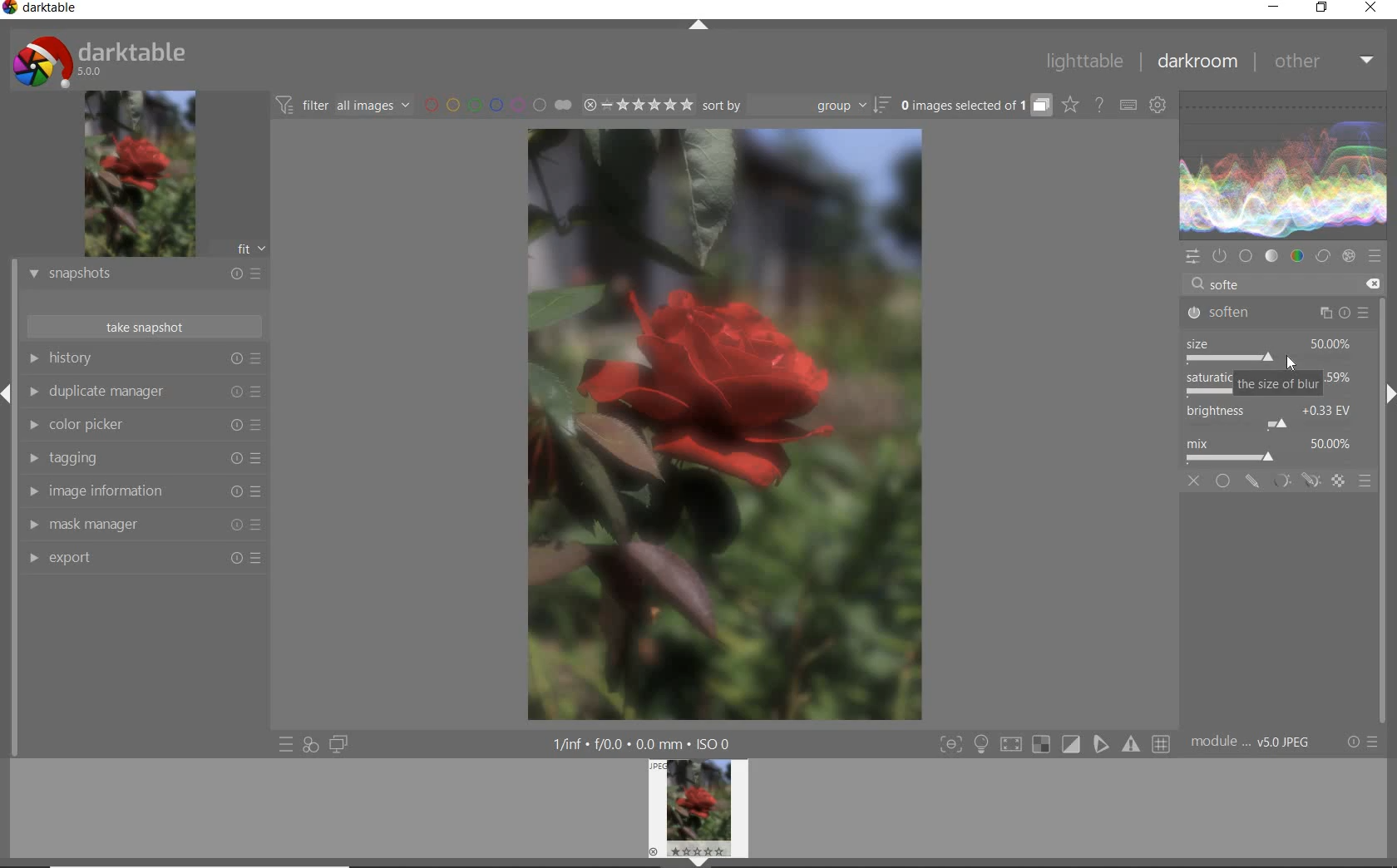  What do you see at coordinates (1197, 64) in the screenshot?
I see `darkroom` at bounding box center [1197, 64].